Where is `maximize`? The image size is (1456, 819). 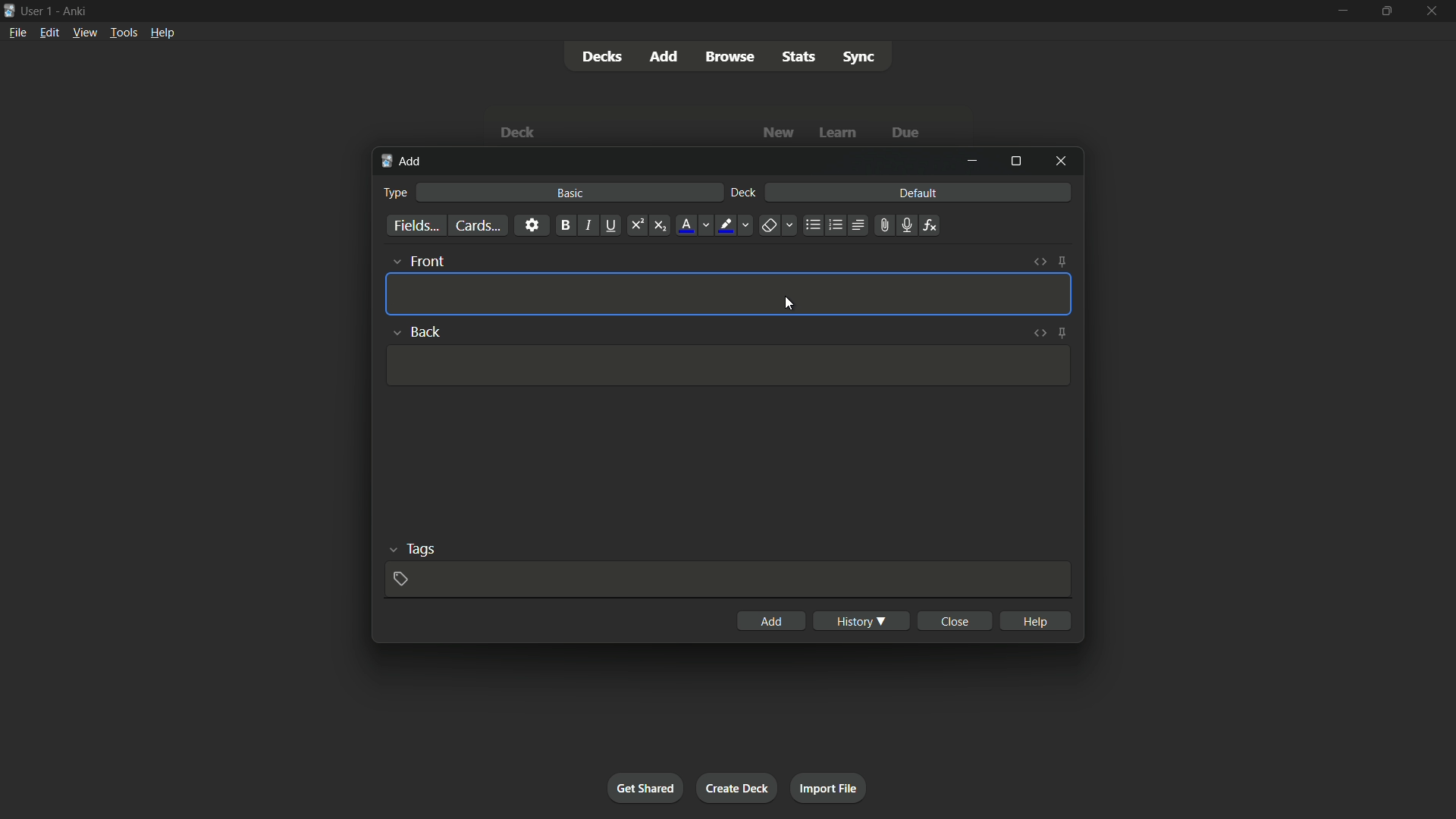
maximize is located at coordinates (1385, 11).